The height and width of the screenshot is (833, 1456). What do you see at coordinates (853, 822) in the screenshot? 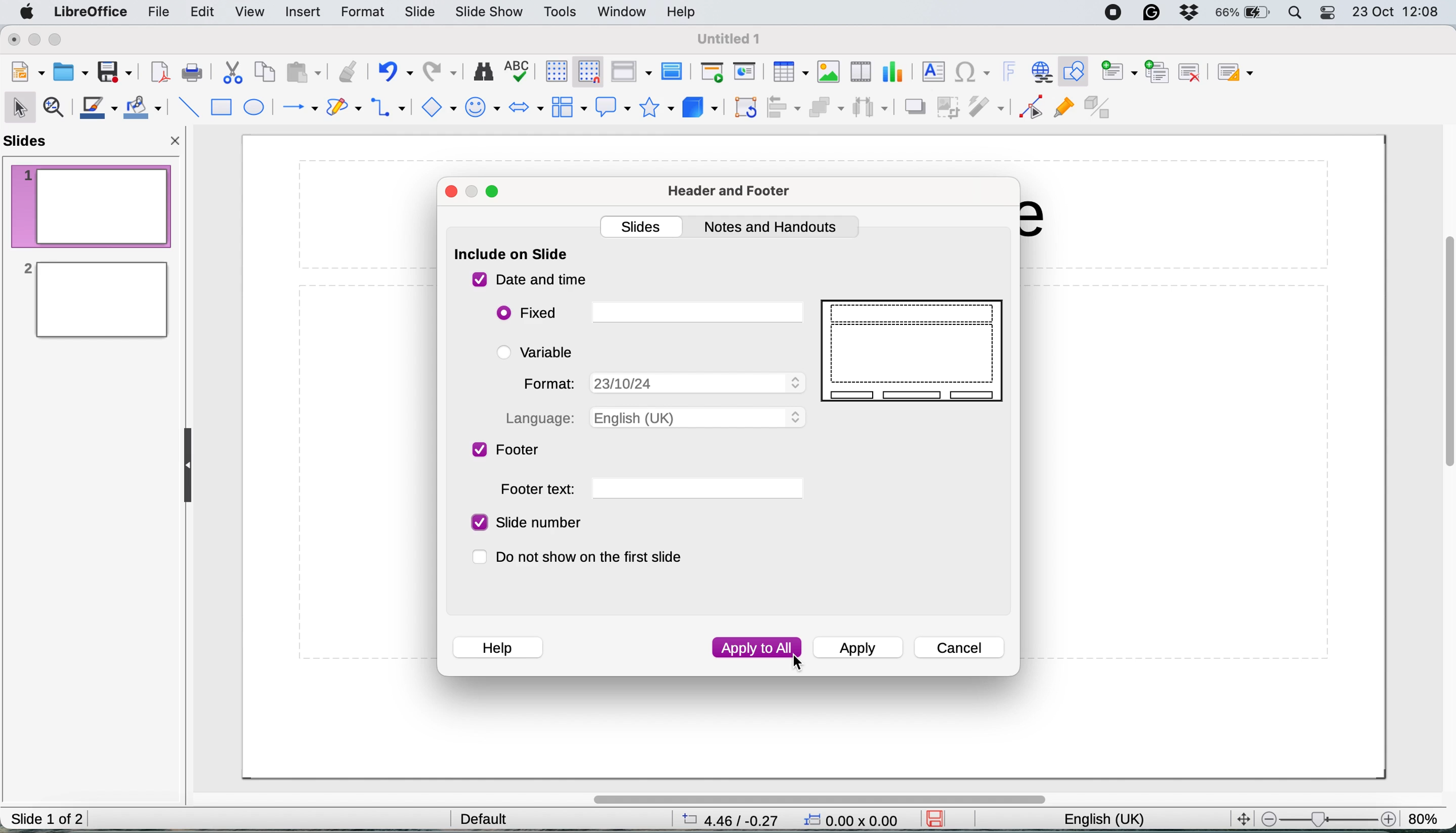
I see `0.00x0.00` at bounding box center [853, 822].